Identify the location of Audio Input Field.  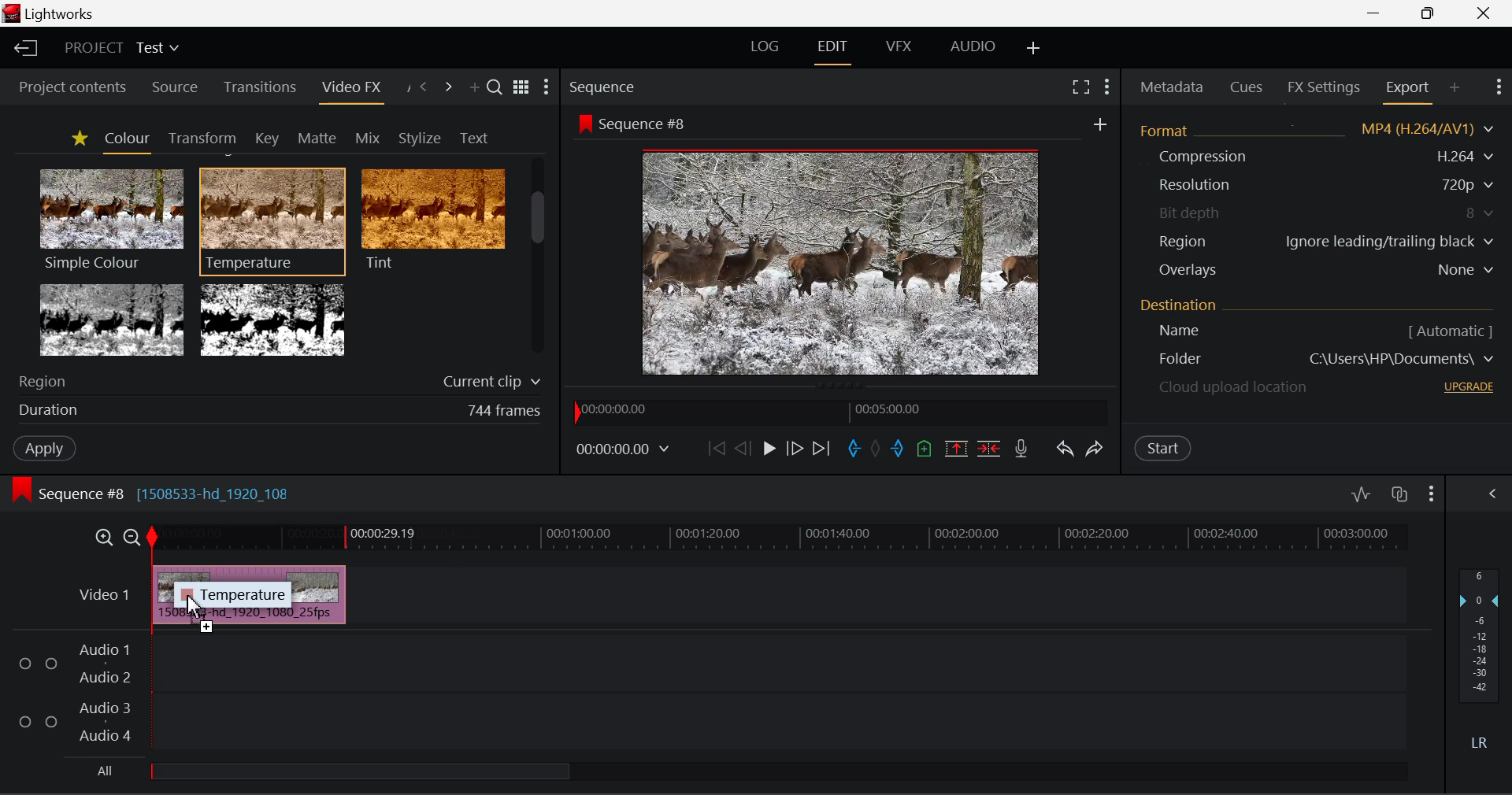
(773, 691).